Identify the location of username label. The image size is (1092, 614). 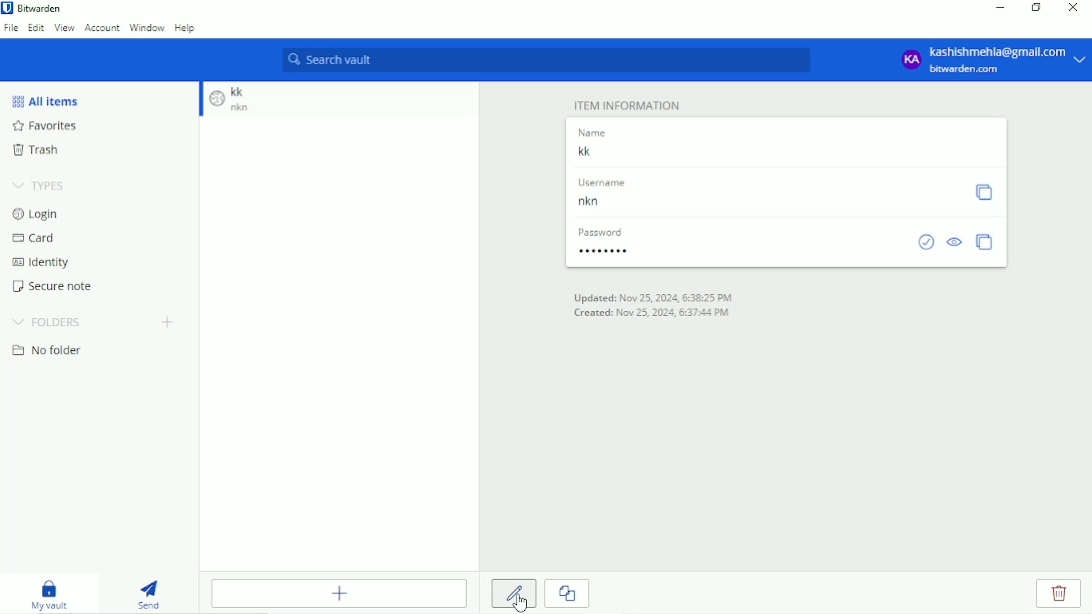
(608, 183).